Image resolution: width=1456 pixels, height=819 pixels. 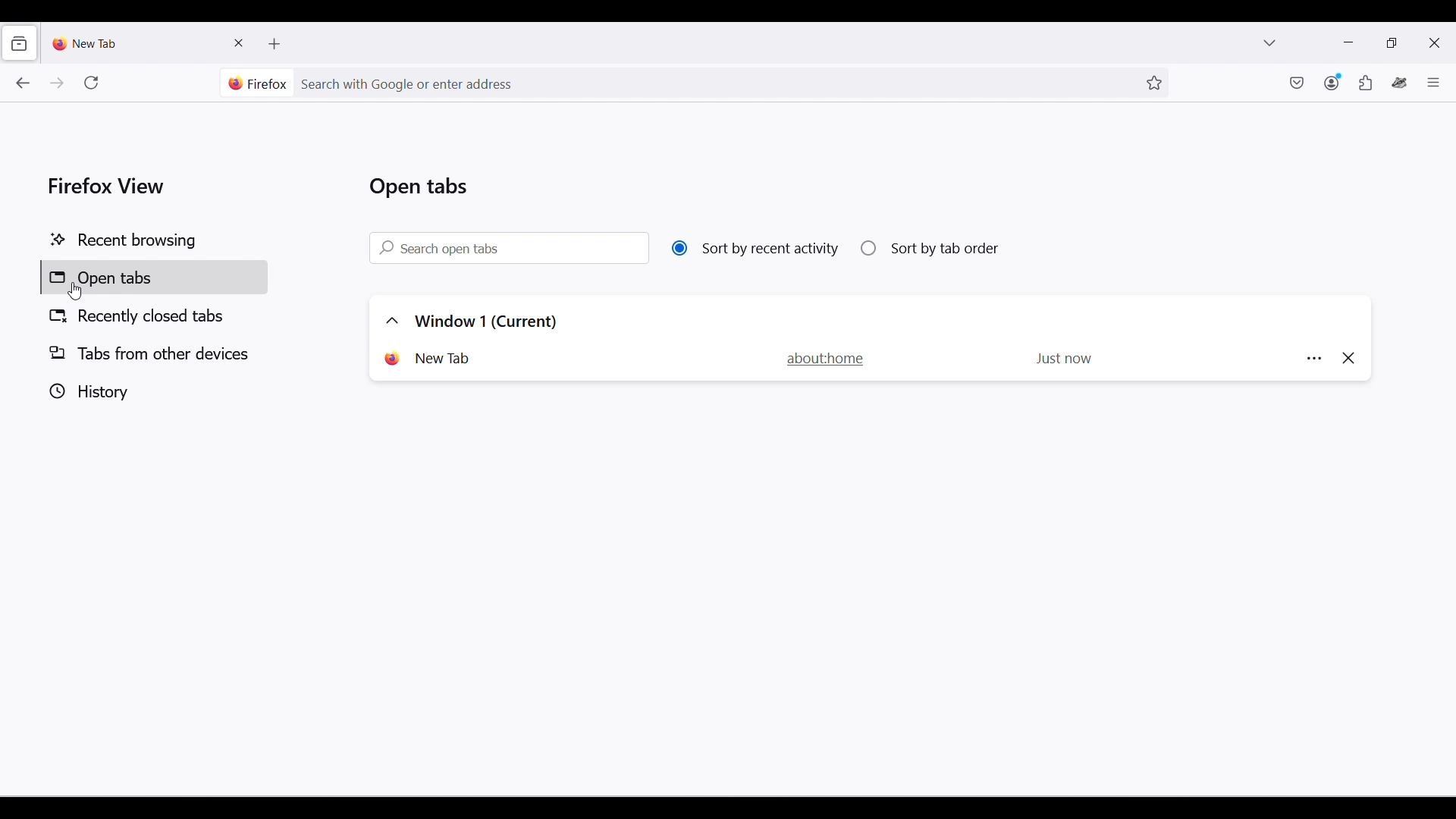 I want to click on Current tab, so click(x=136, y=42).